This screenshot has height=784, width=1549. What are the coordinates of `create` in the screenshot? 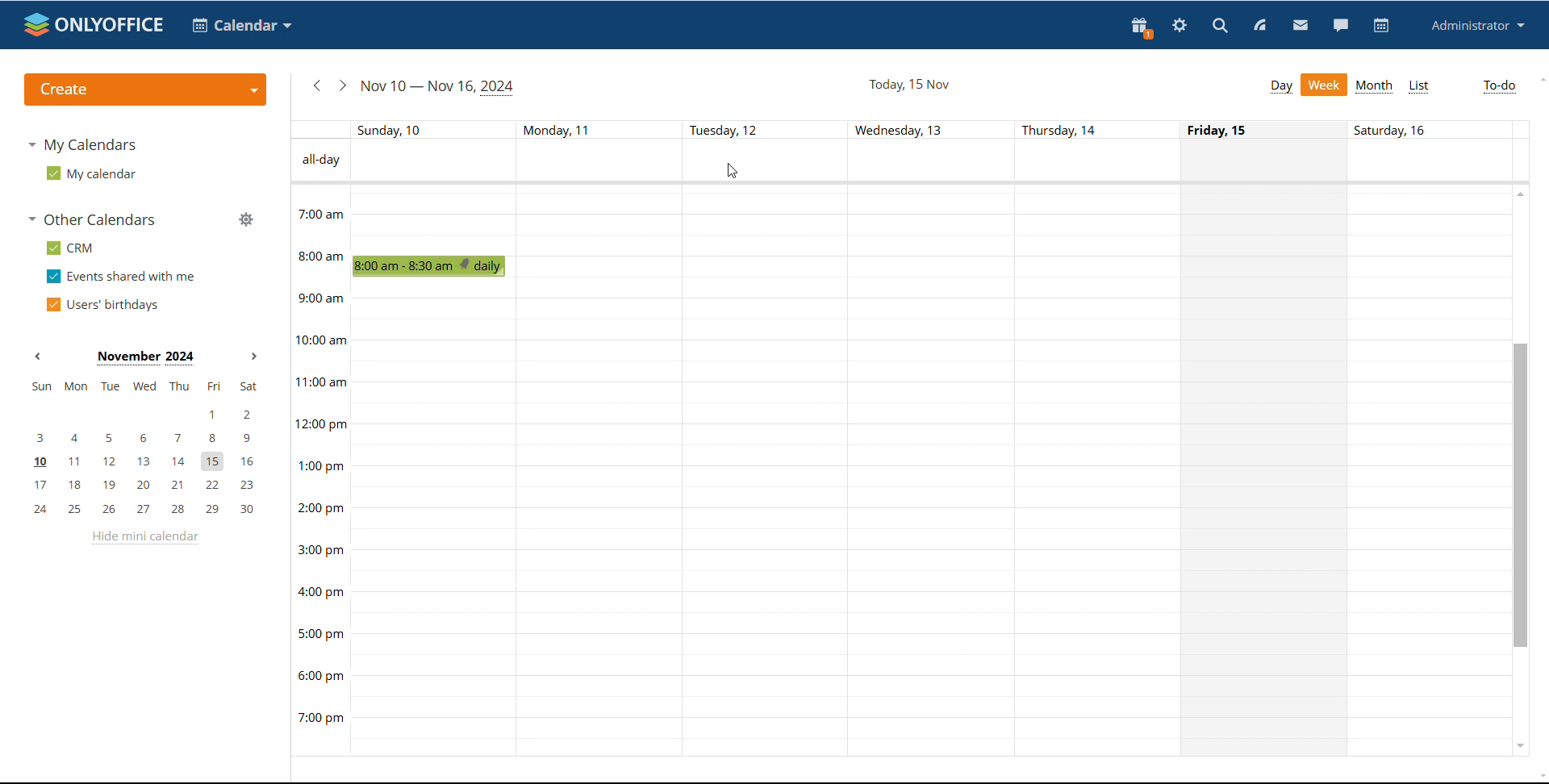 It's located at (144, 90).